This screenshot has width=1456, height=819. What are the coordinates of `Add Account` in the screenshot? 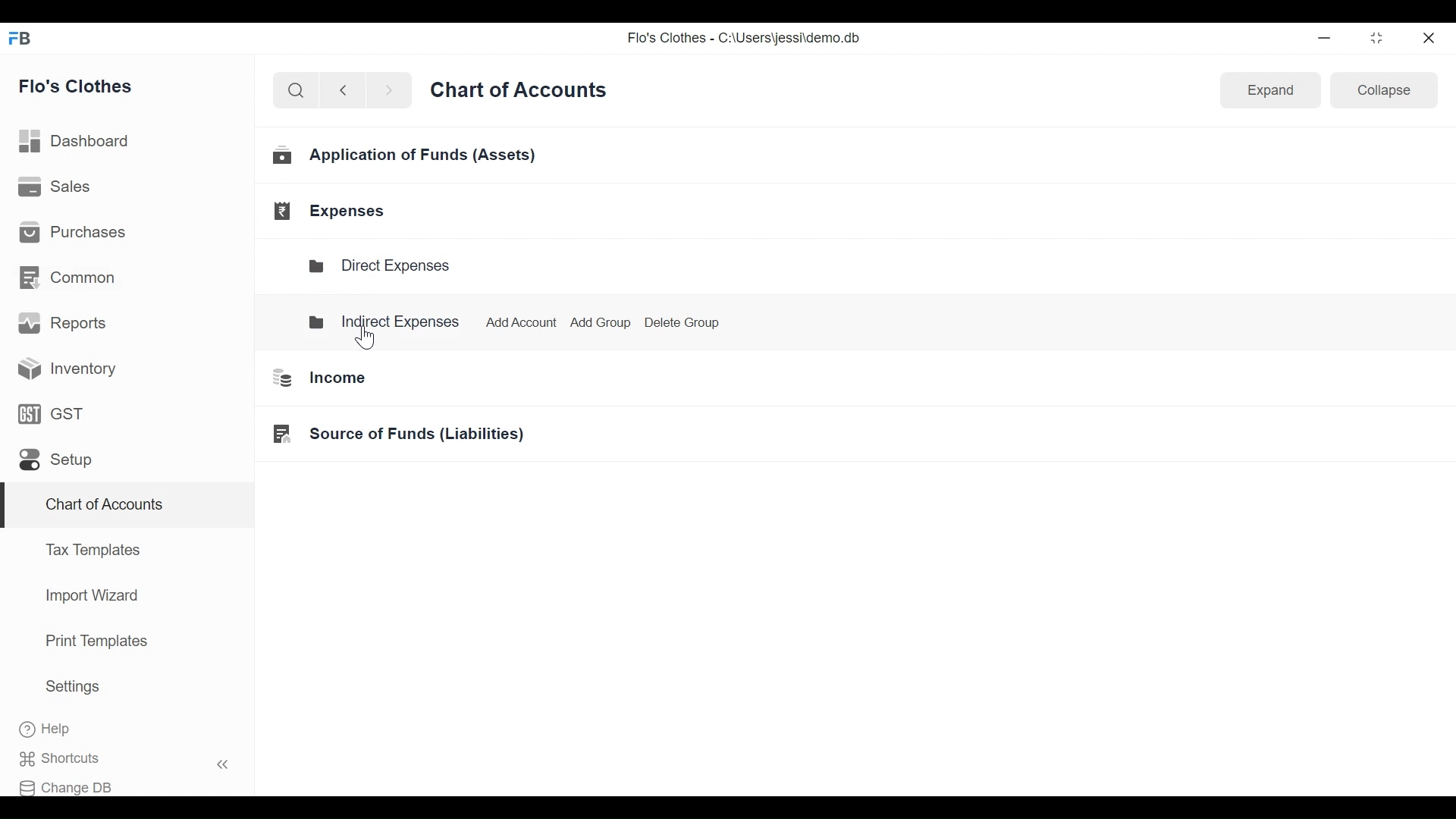 It's located at (517, 319).